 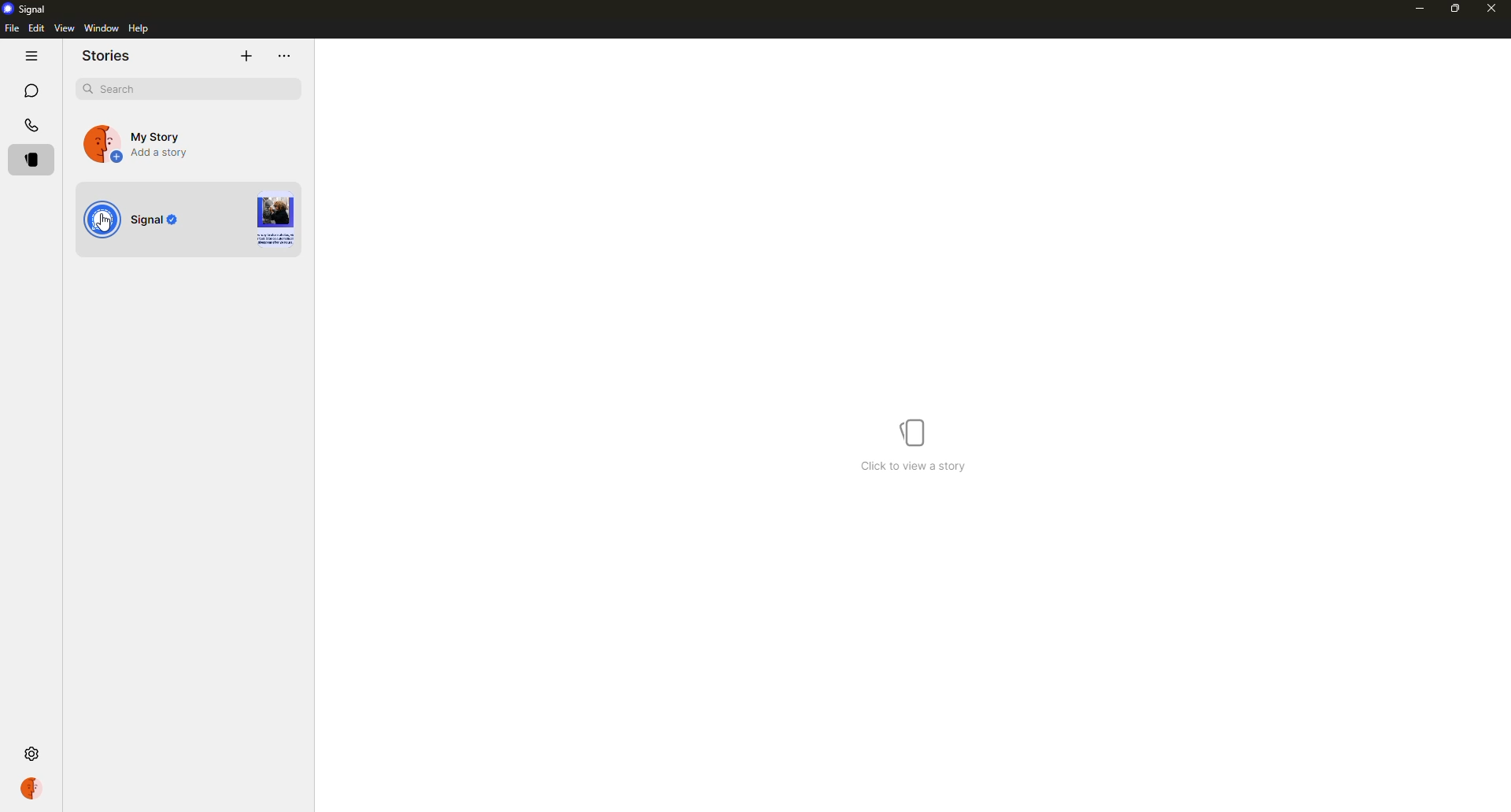 What do you see at coordinates (192, 222) in the screenshot?
I see `view story` at bounding box center [192, 222].